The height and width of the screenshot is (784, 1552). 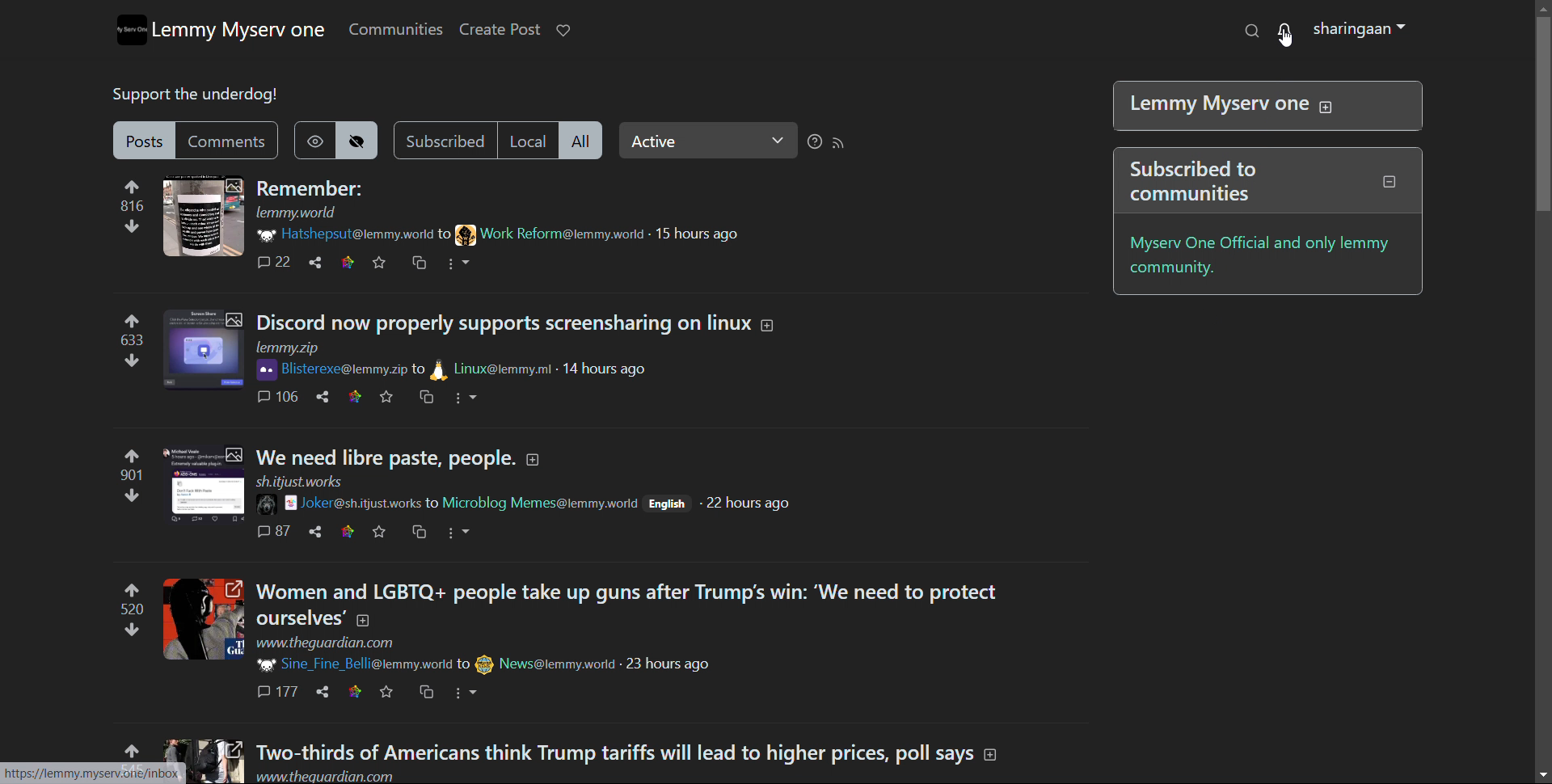 I want to click on subscribed, so click(x=445, y=140).